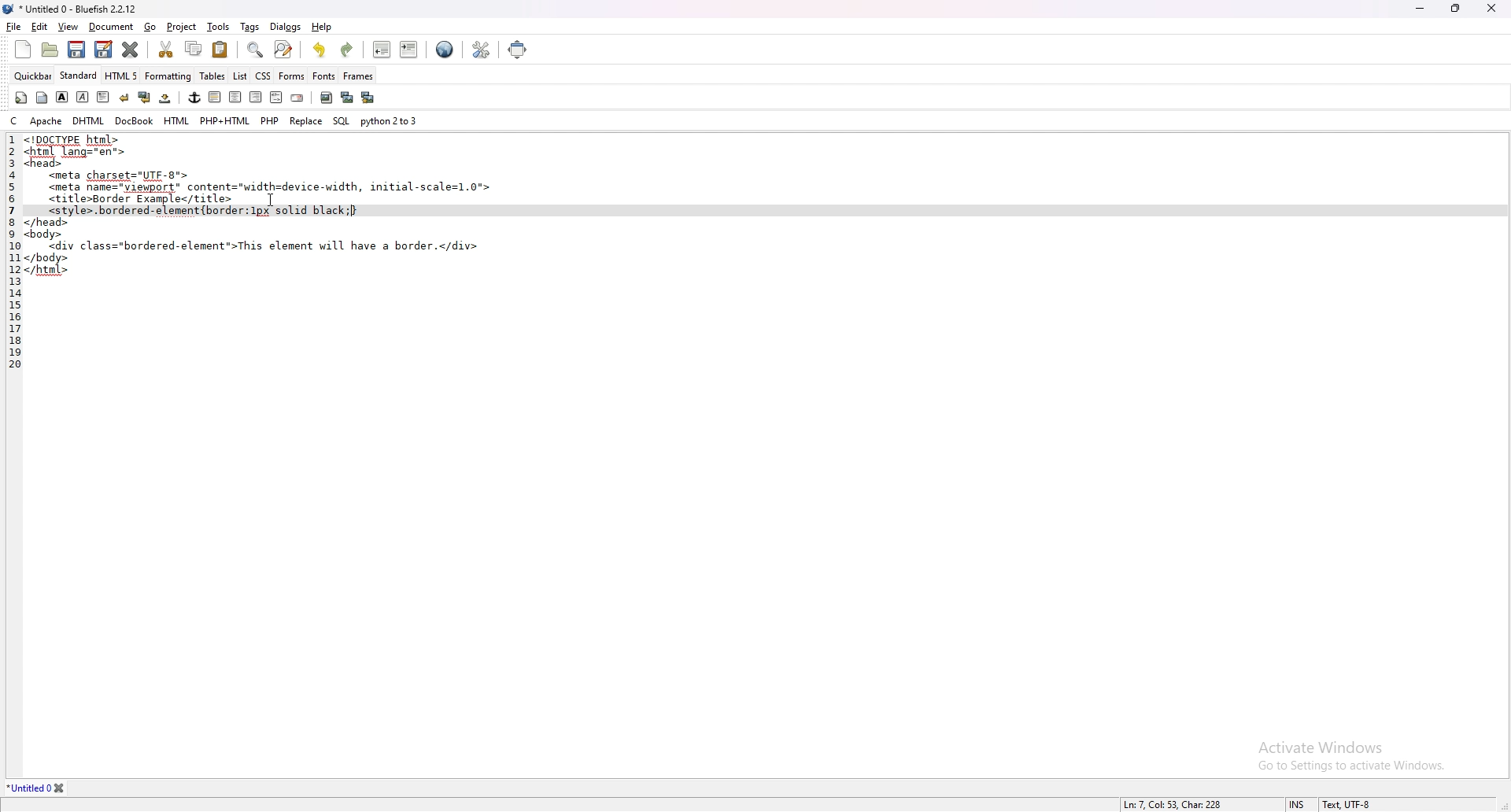 The image size is (1511, 812). What do you see at coordinates (410, 49) in the screenshot?
I see `indent` at bounding box center [410, 49].